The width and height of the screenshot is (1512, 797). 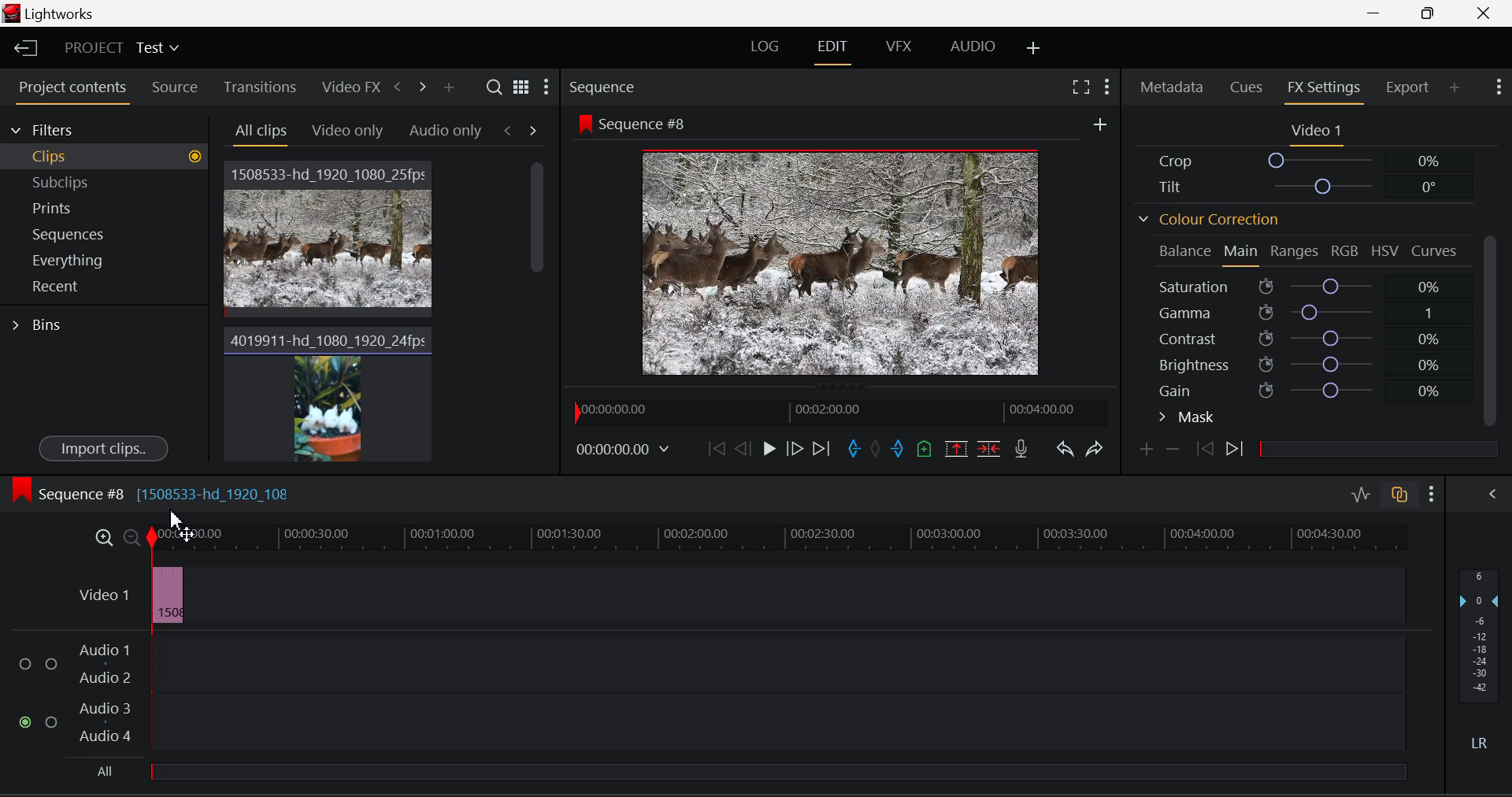 I want to click on Next Keyframe, so click(x=1236, y=449).